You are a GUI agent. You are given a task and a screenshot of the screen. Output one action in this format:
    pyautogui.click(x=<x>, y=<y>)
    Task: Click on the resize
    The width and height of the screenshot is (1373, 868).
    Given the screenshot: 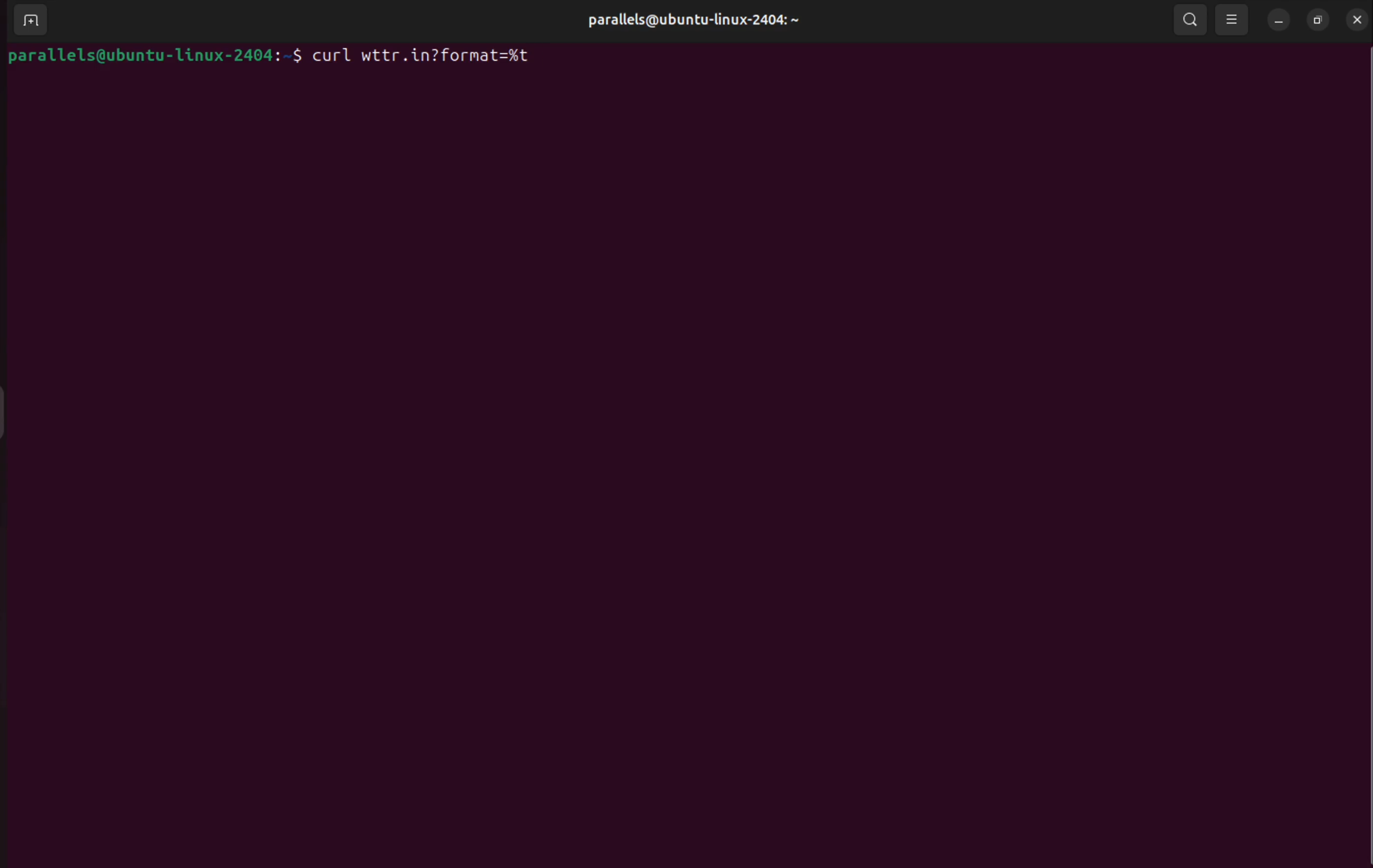 What is the action you would take?
    pyautogui.click(x=1317, y=18)
    